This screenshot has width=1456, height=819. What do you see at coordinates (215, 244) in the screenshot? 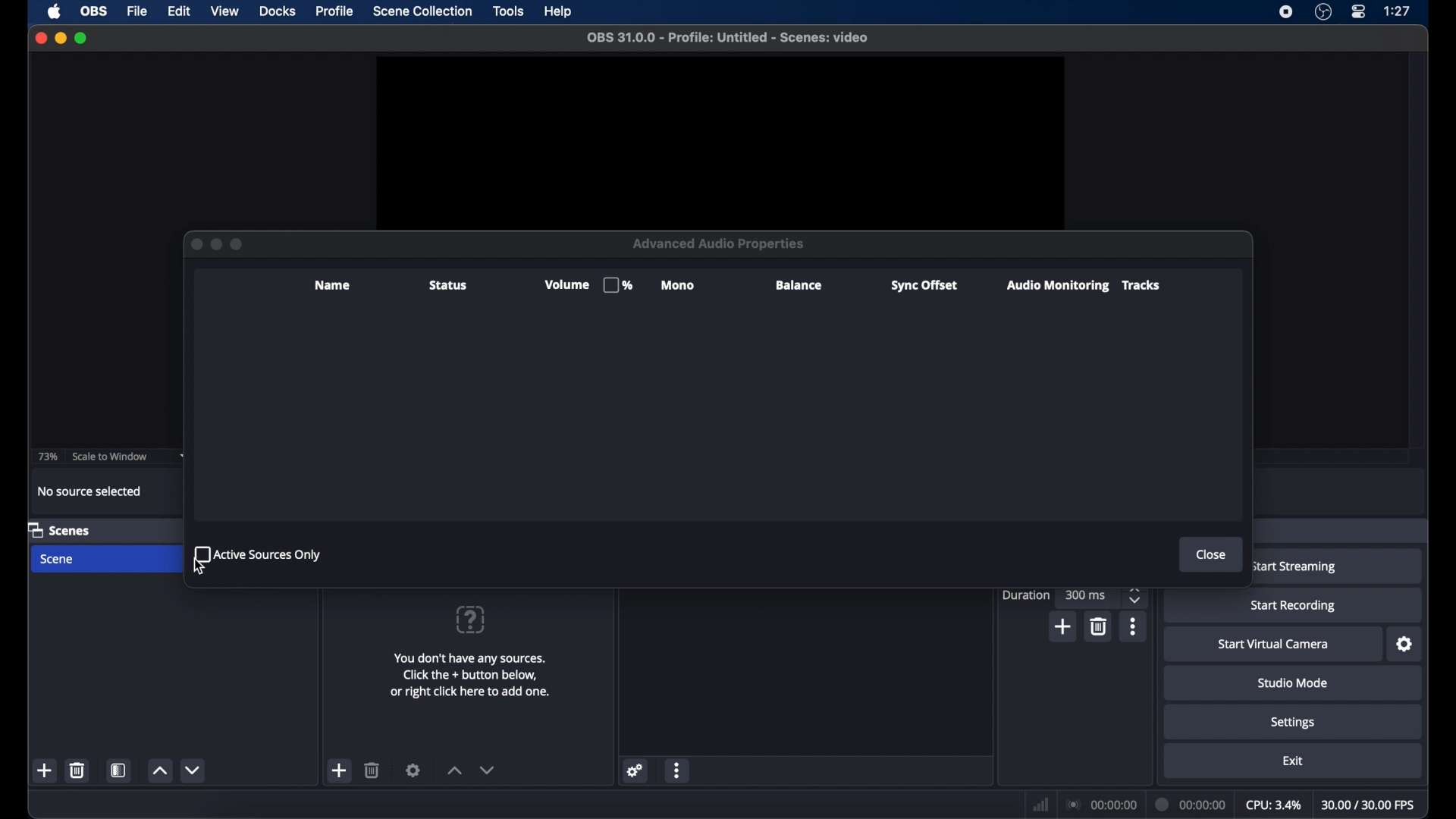
I see `` at bounding box center [215, 244].